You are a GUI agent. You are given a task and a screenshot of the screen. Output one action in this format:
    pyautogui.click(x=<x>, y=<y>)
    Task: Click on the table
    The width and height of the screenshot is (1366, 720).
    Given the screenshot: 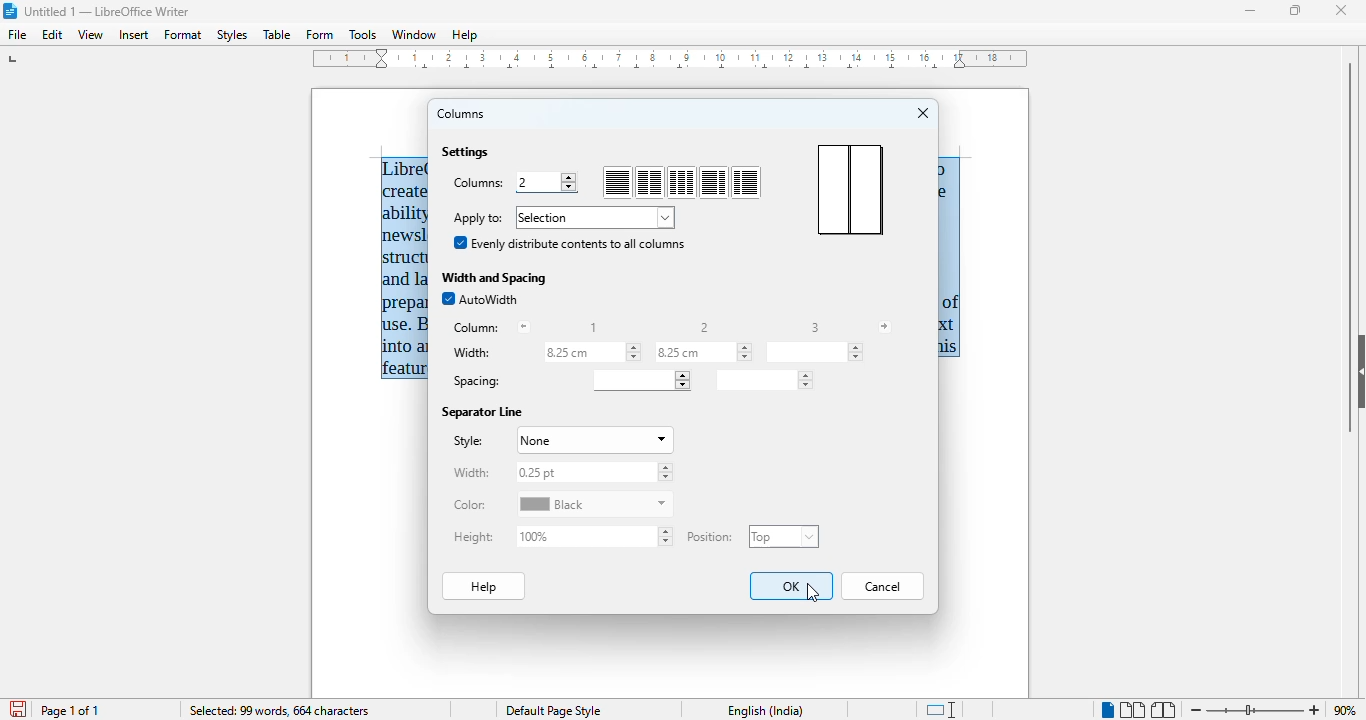 What is the action you would take?
    pyautogui.click(x=277, y=34)
    